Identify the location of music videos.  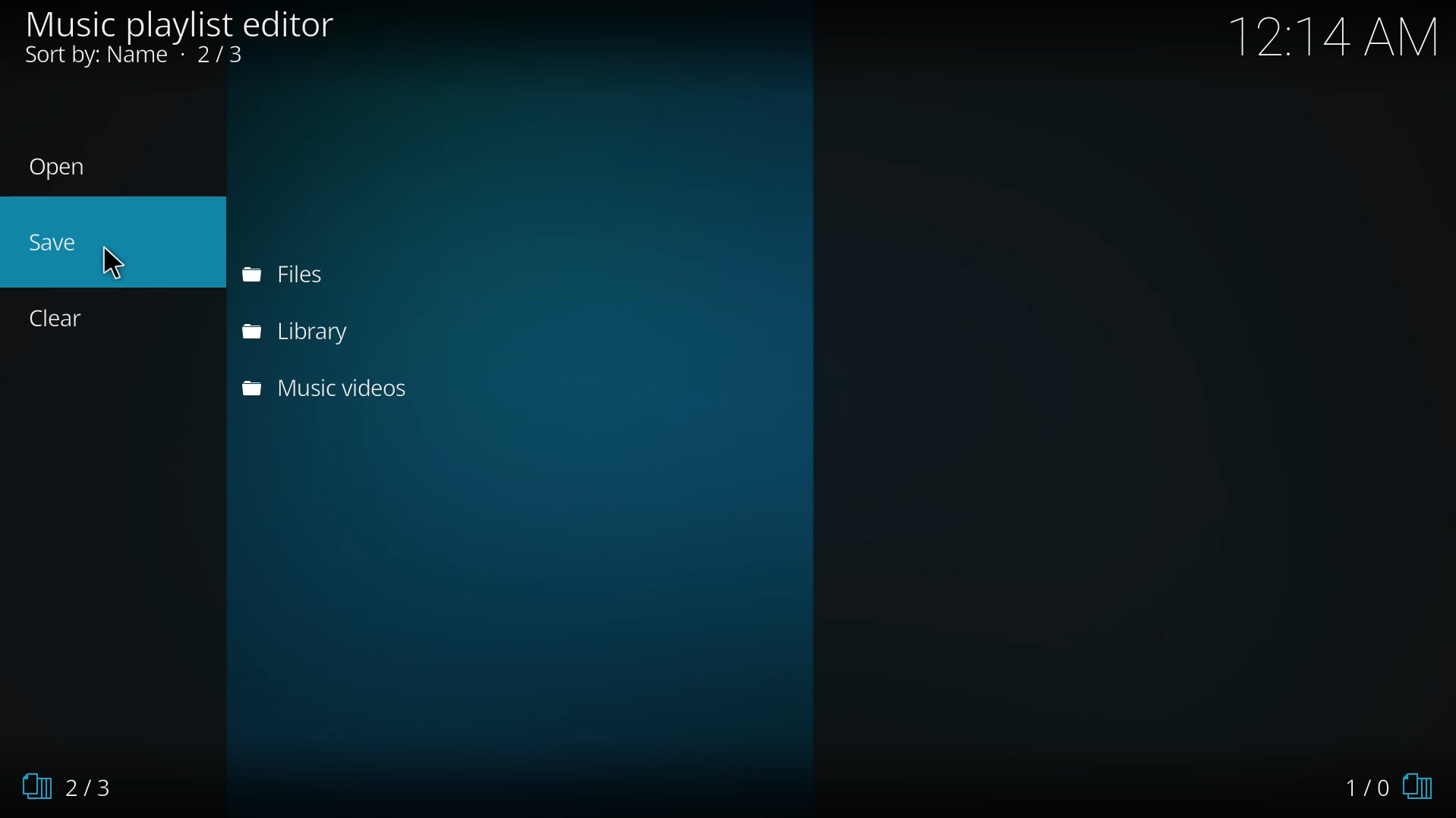
(329, 385).